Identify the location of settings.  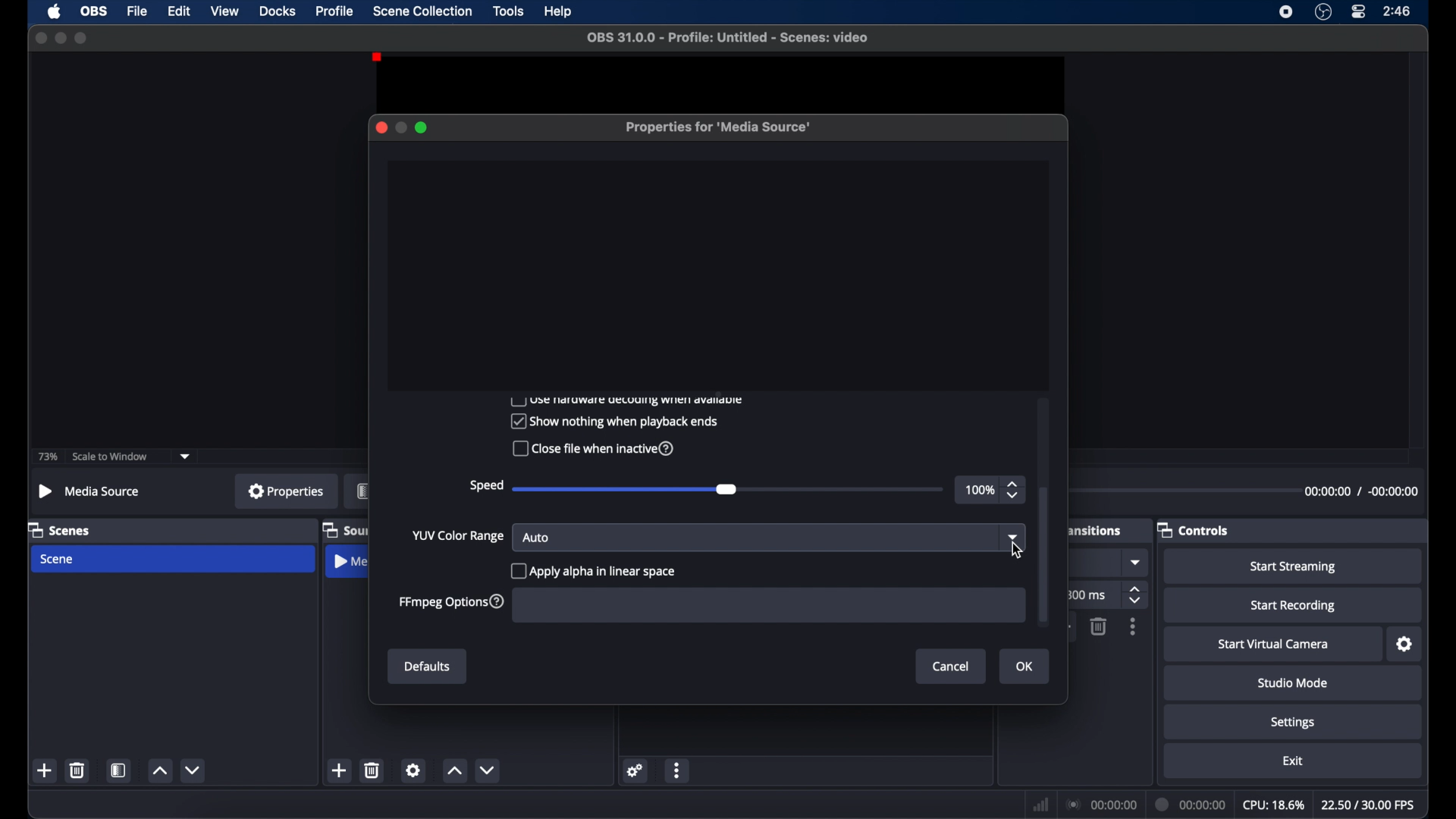
(1405, 645).